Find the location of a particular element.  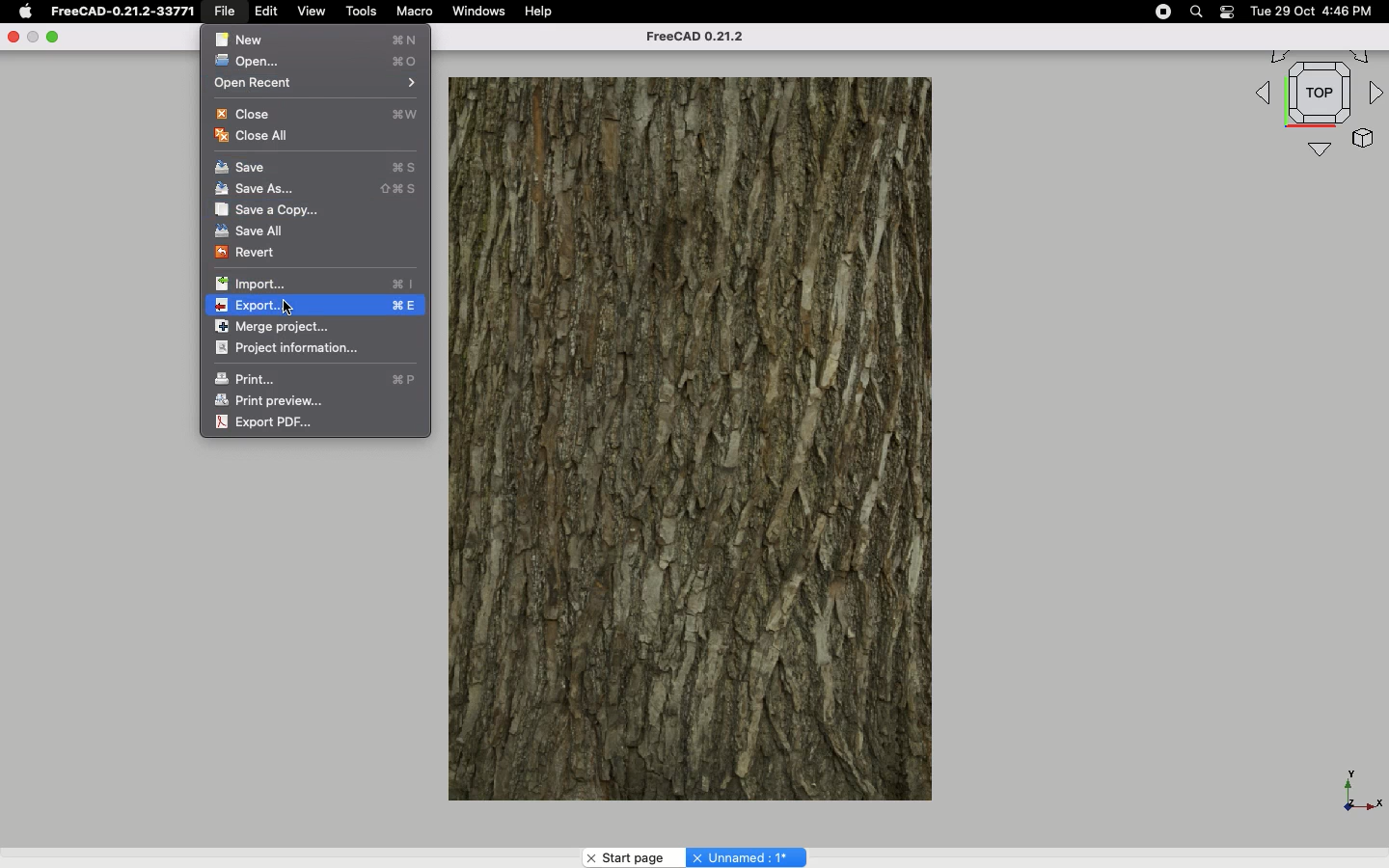

Unnamed:1* is located at coordinates (746, 856).